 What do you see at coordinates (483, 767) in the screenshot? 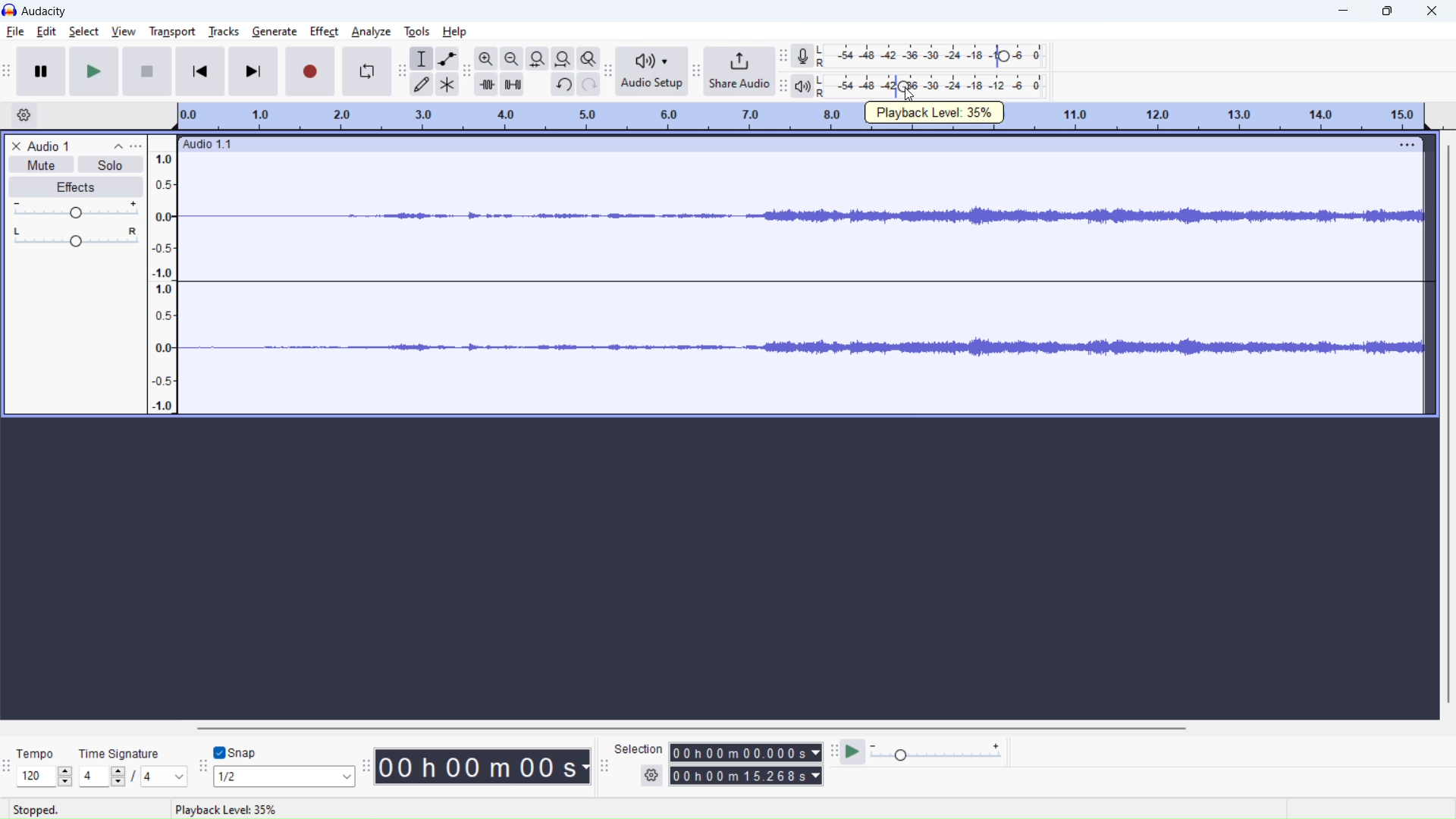
I see `time` at bounding box center [483, 767].